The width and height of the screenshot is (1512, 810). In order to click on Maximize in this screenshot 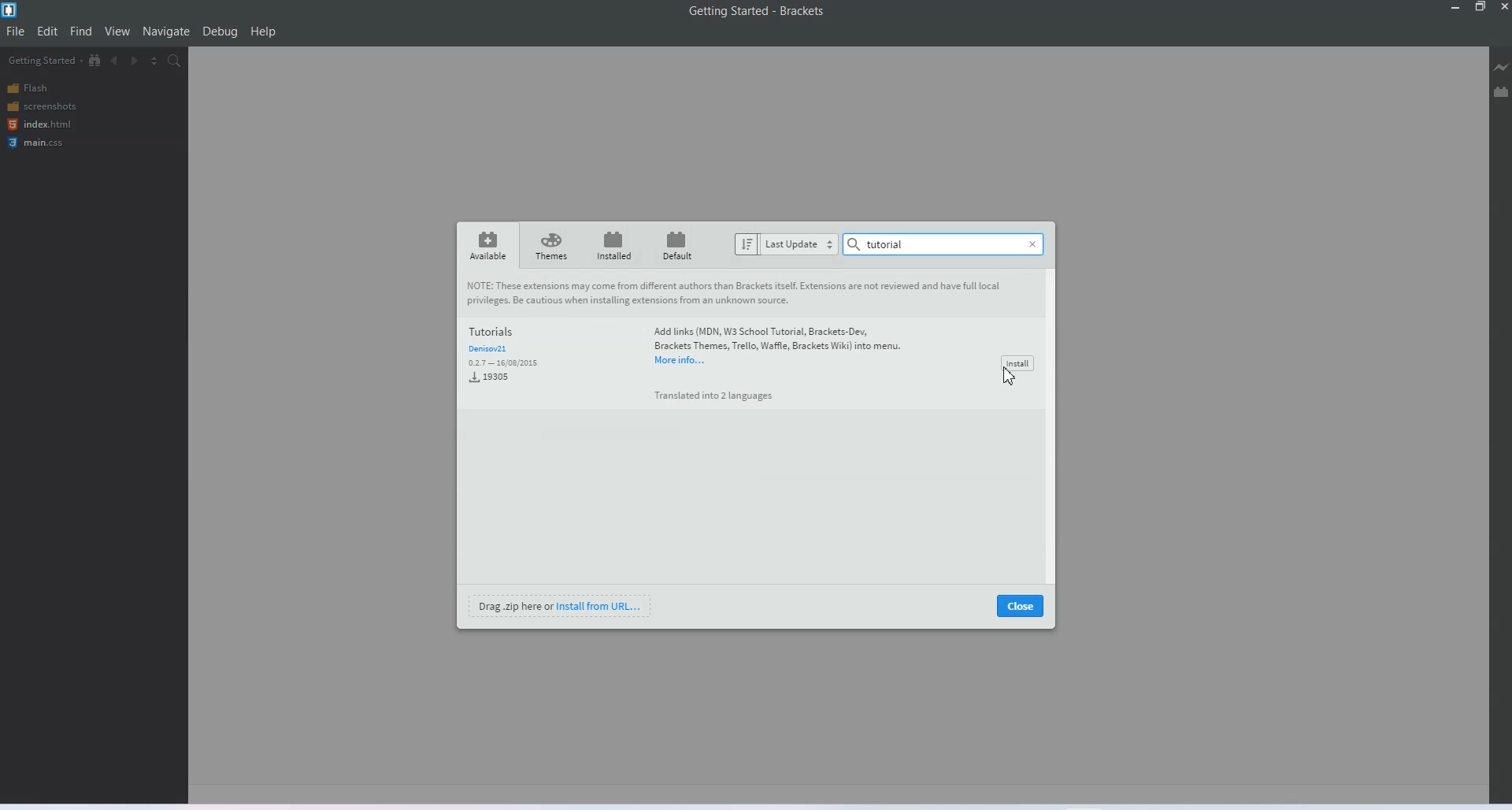, I will do `click(1481, 7)`.